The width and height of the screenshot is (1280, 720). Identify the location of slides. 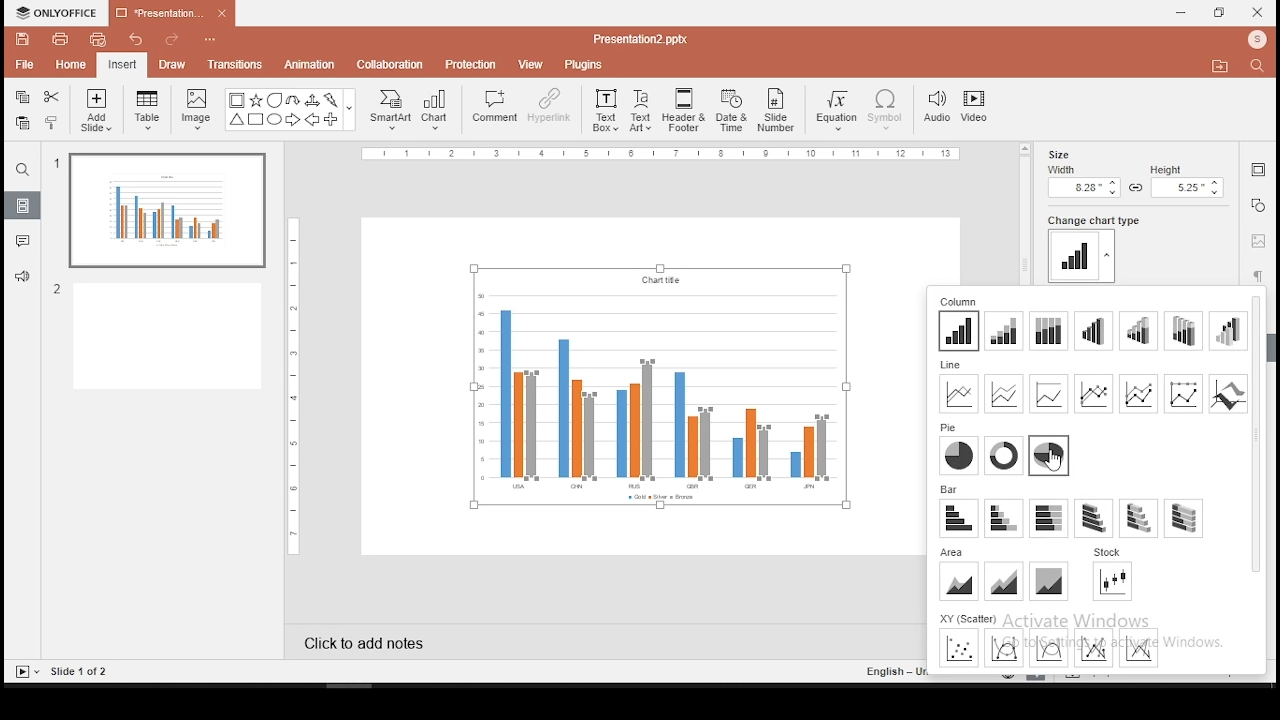
(21, 205).